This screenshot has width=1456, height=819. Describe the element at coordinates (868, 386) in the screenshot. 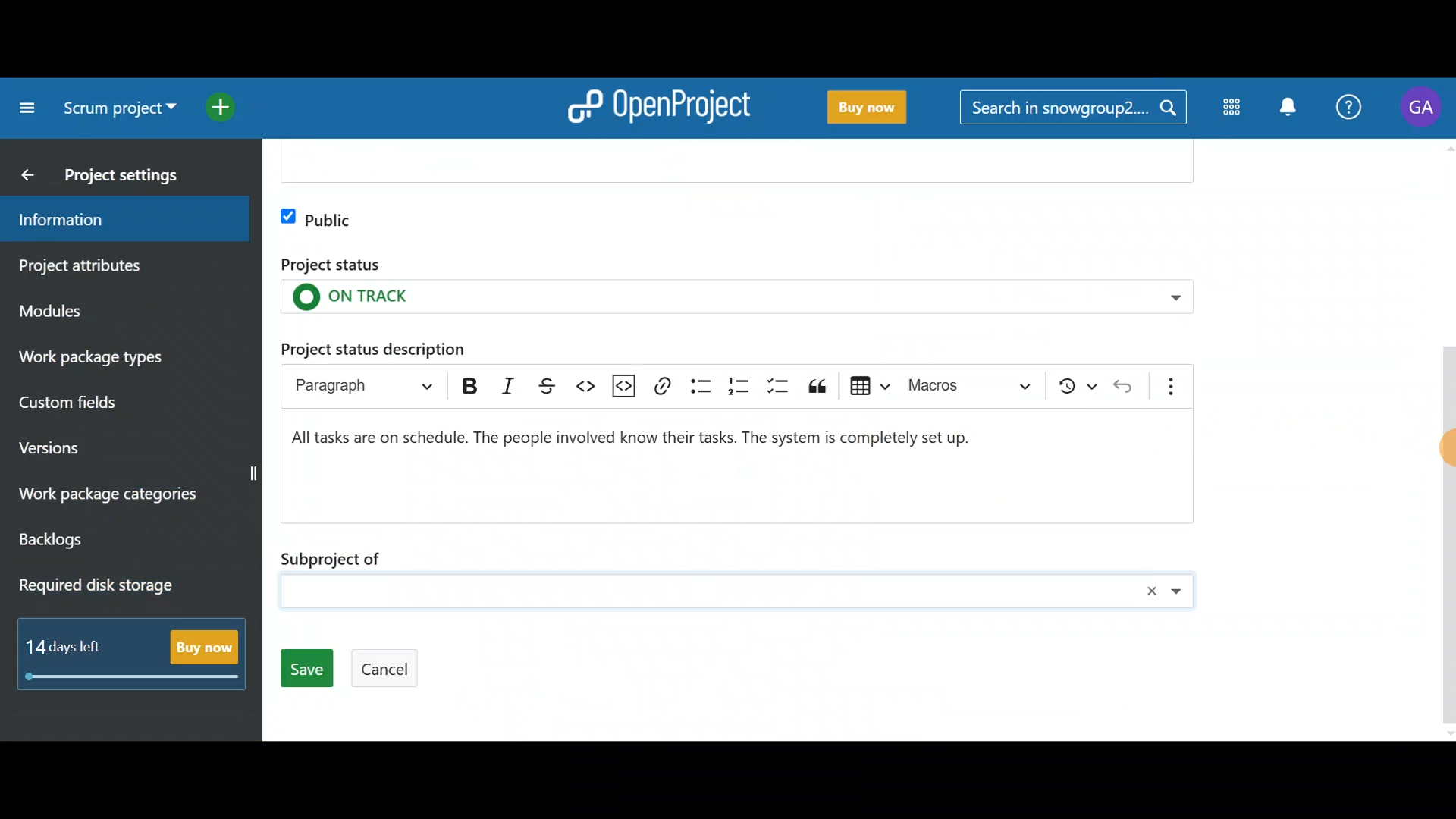

I see `Insert table` at that location.